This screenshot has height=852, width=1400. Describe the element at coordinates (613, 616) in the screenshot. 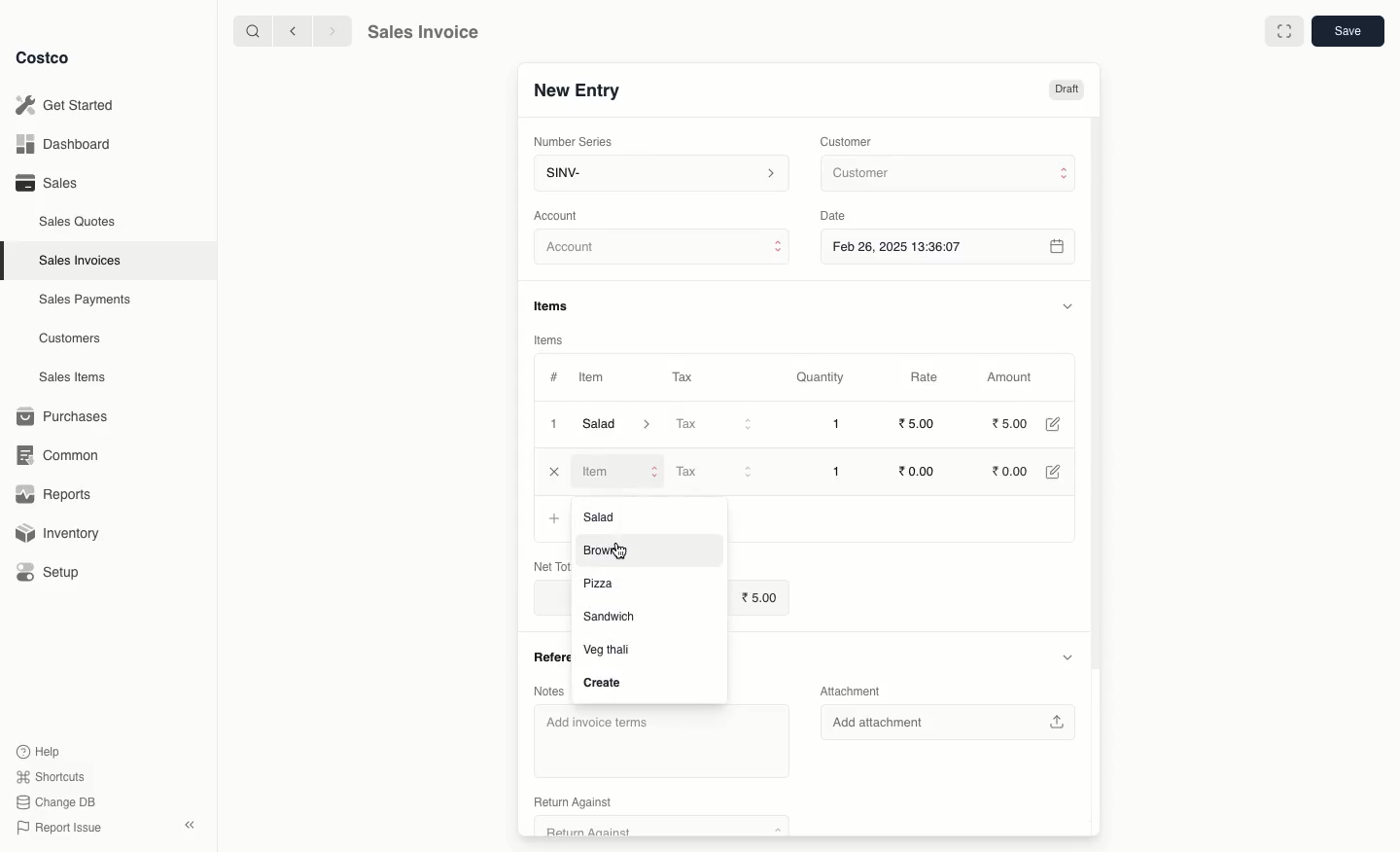

I see `‘Sandwich` at that location.